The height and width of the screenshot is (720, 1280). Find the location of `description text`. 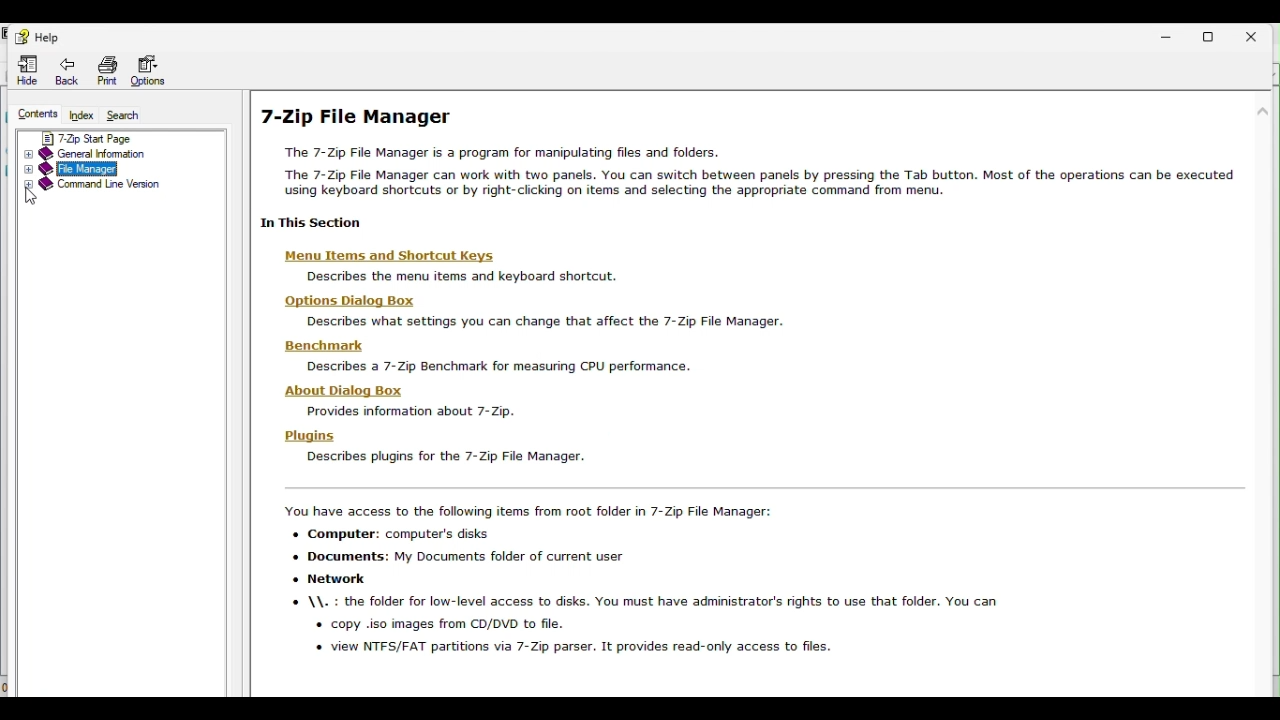

description text is located at coordinates (408, 411).